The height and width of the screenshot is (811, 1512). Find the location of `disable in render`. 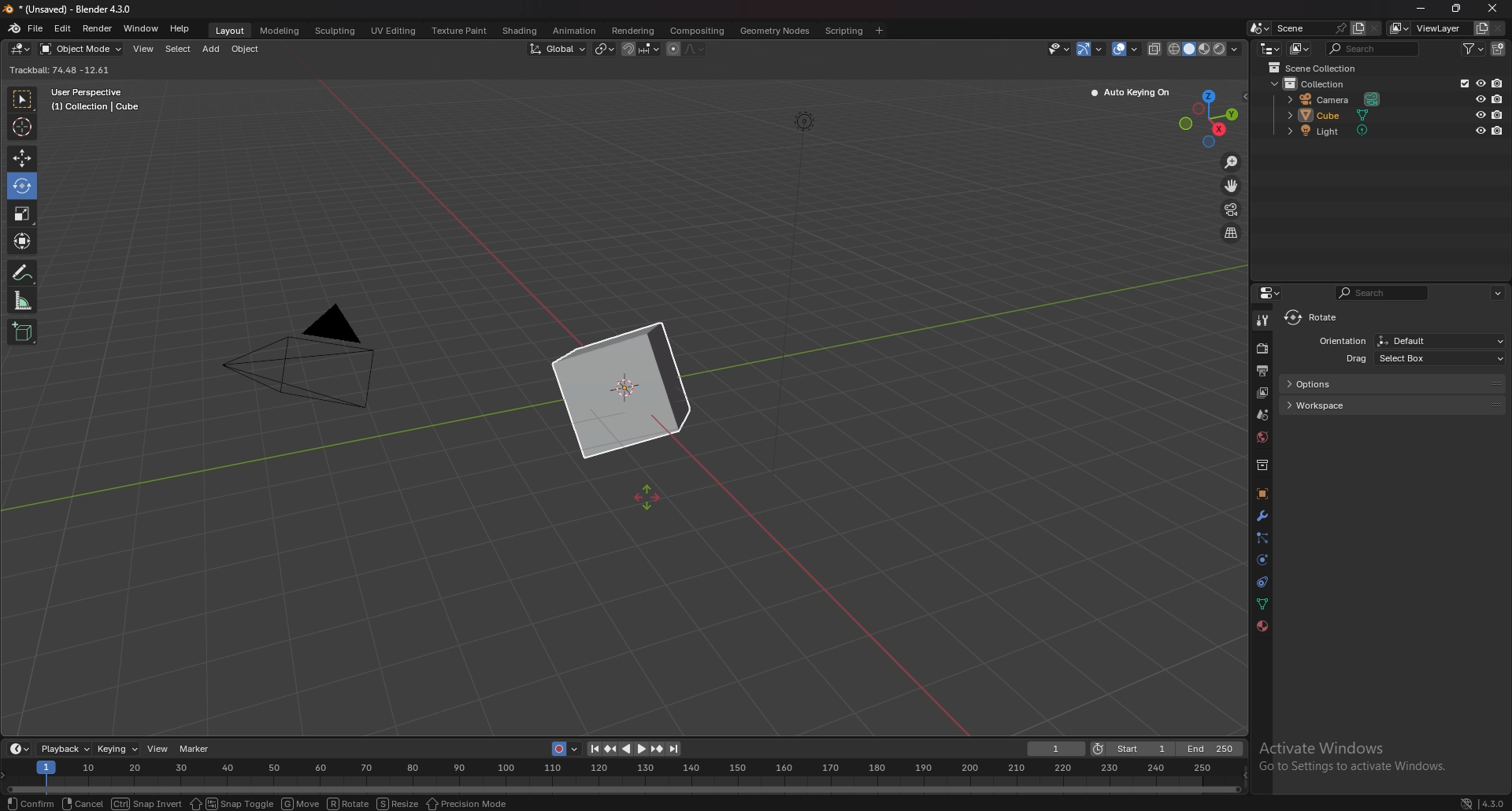

disable in render is located at coordinates (1497, 115).